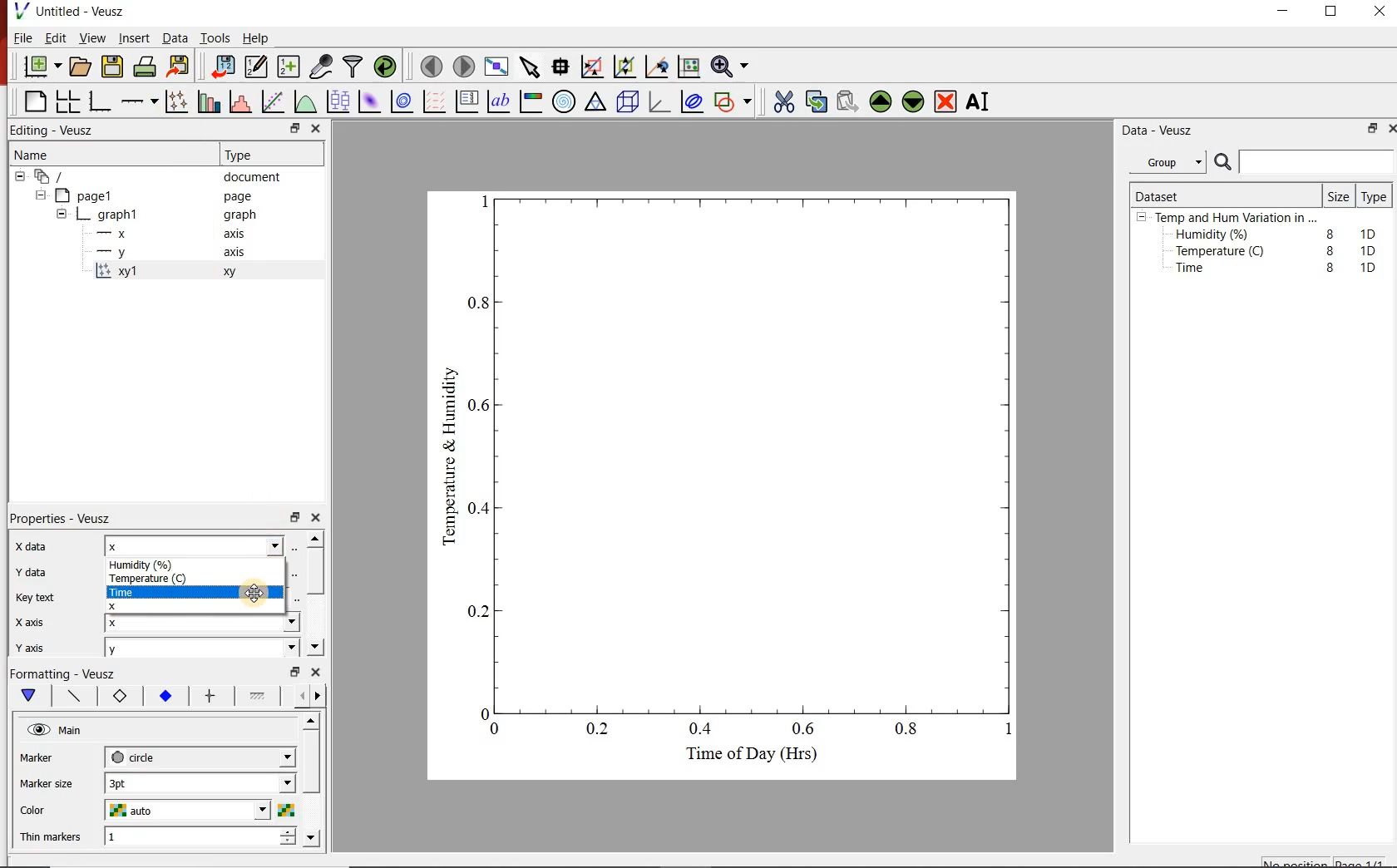 Image resolution: width=1397 pixels, height=868 pixels. Describe the element at coordinates (479, 302) in the screenshot. I see `0.8` at that location.